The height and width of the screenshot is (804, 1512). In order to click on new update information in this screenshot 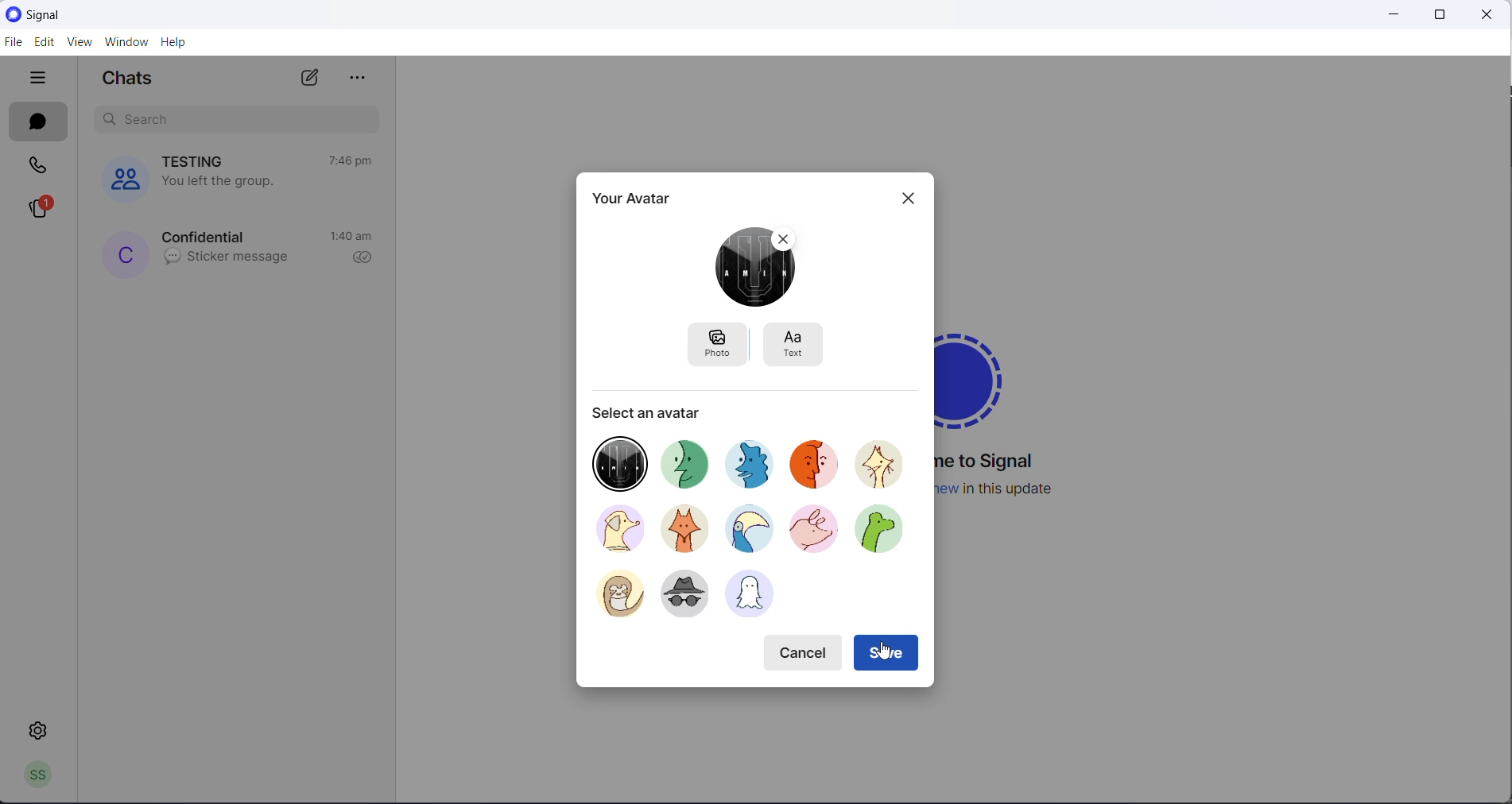, I will do `click(1008, 489)`.